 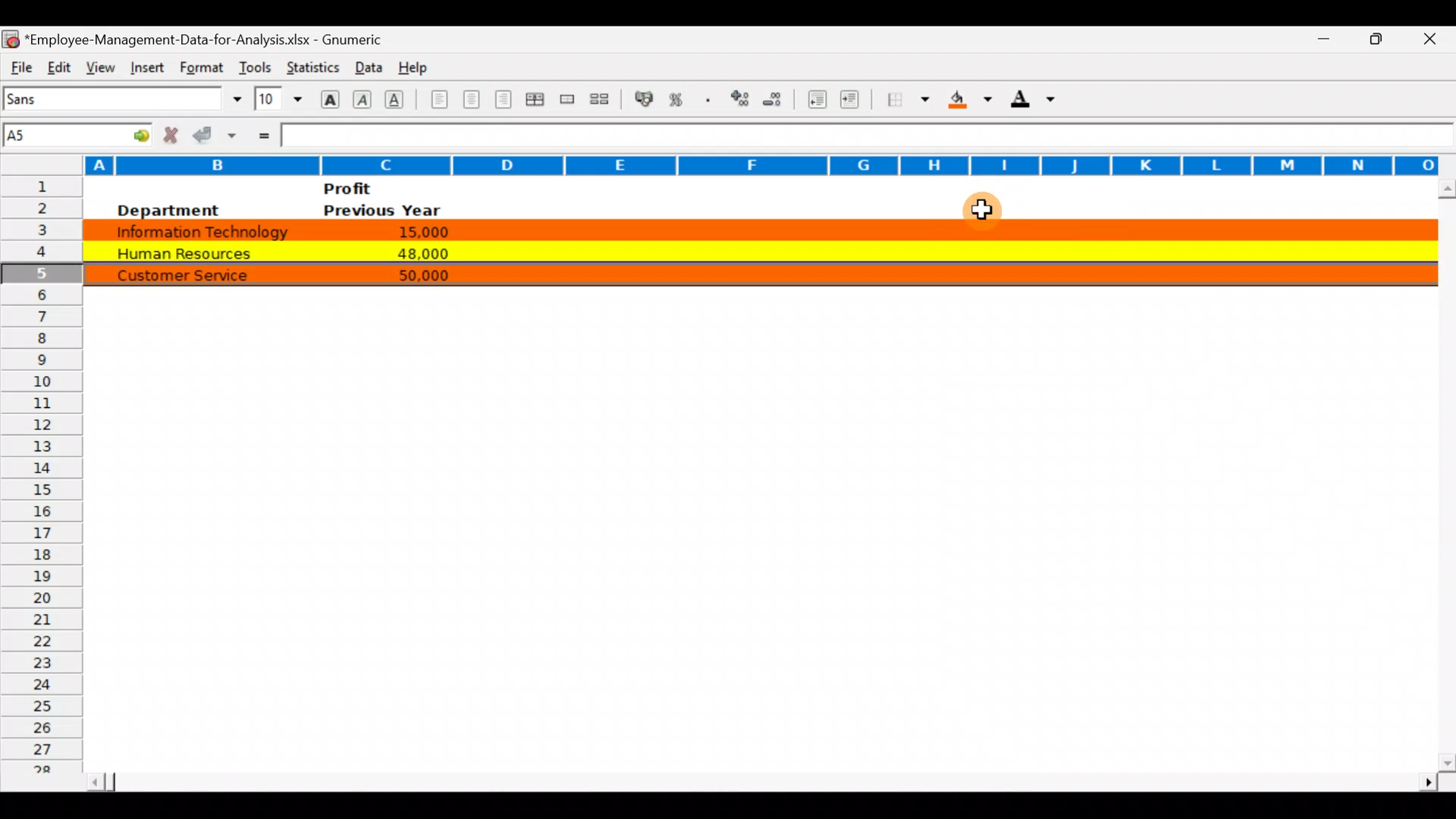 What do you see at coordinates (255, 64) in the screenshot?
I see `Tools` at bounding box center [255, 64].